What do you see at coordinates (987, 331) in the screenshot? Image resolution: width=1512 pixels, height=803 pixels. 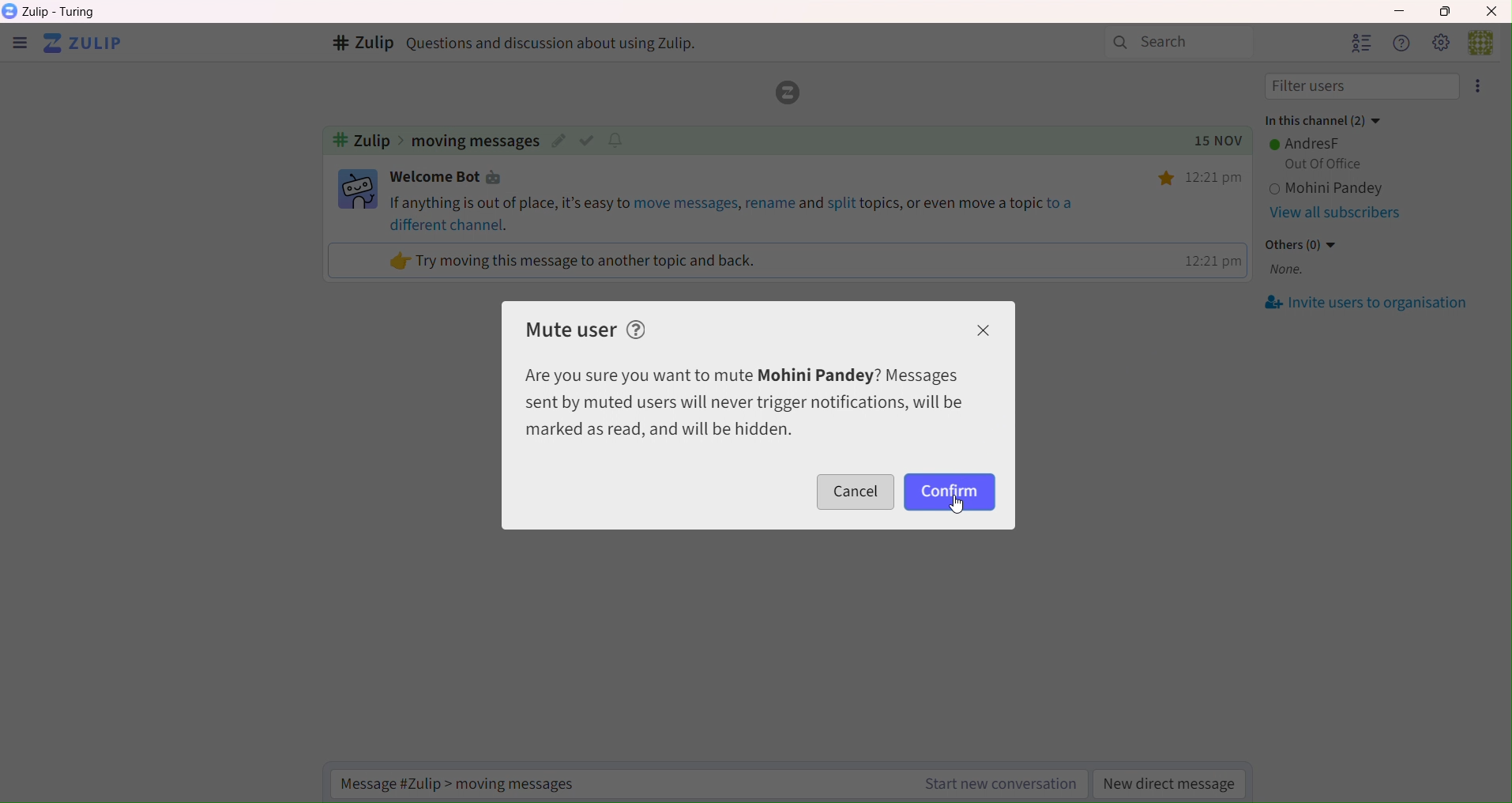 I see `close` at bounding box center [987, 331].